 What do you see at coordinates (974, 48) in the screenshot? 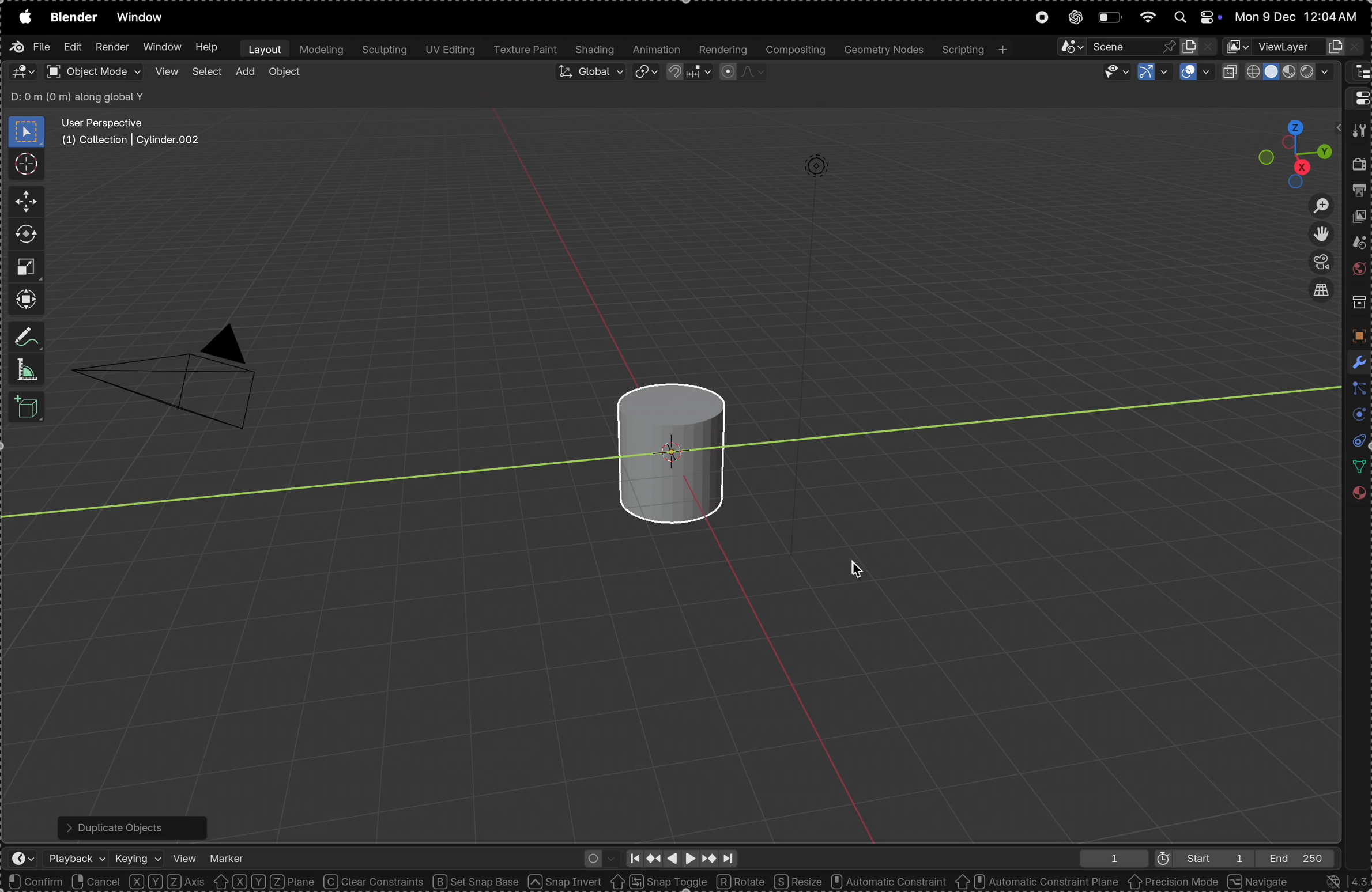
I see `scripting +` at bounding box center [974, 48].